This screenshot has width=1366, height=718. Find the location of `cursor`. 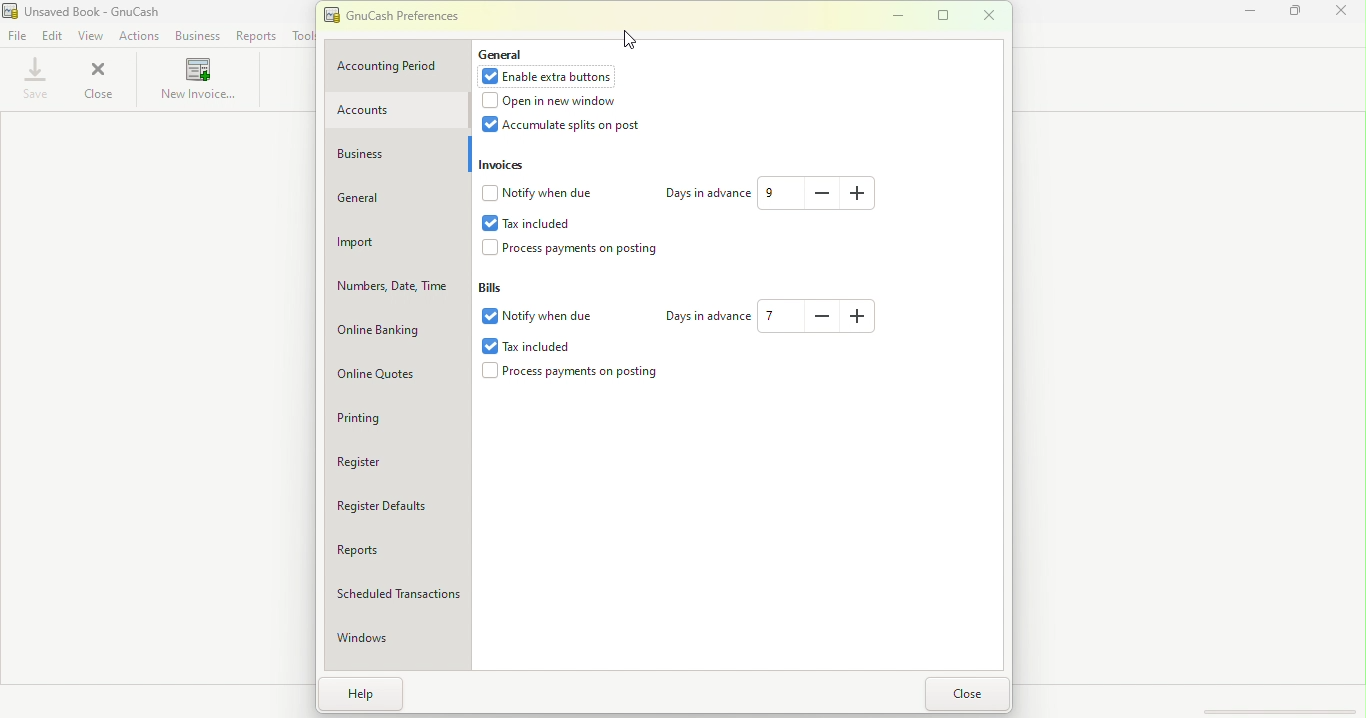

cursor is located at coordinates (632, 36).